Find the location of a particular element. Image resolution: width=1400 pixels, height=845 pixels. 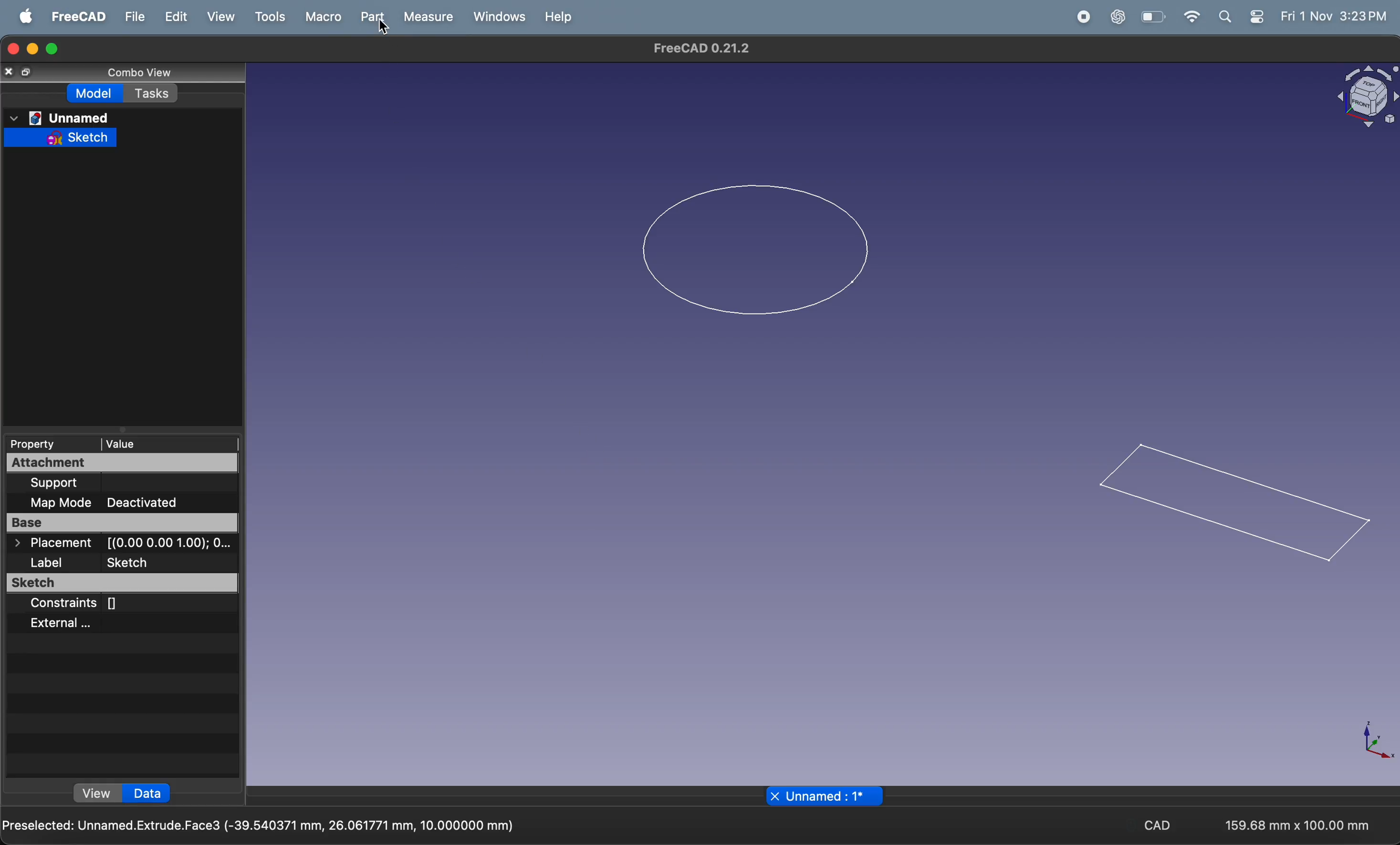

Measure is located at coordinates (428, 18).